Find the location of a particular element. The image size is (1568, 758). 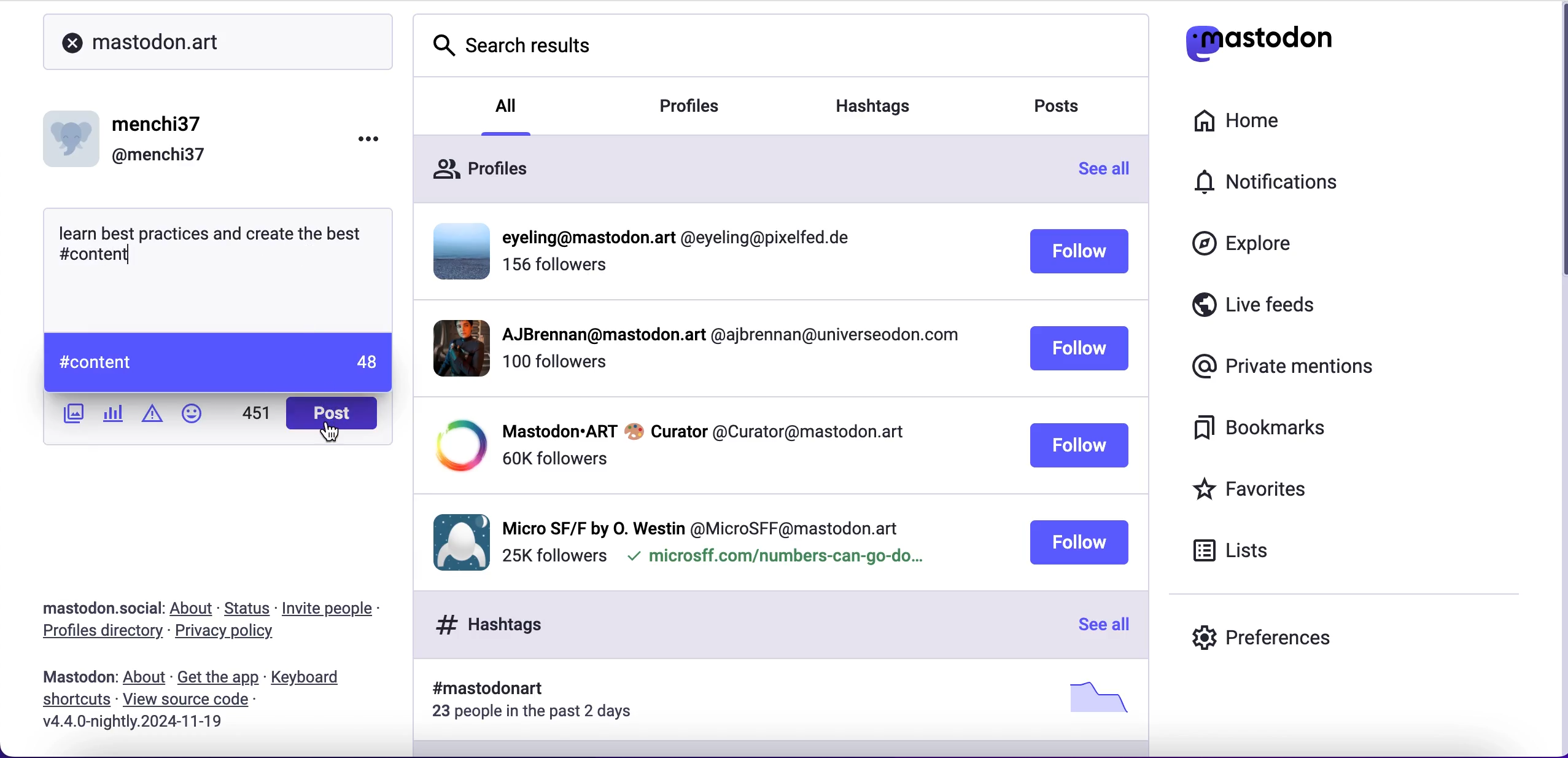

shortcuts is located at coordinates (72, 702).